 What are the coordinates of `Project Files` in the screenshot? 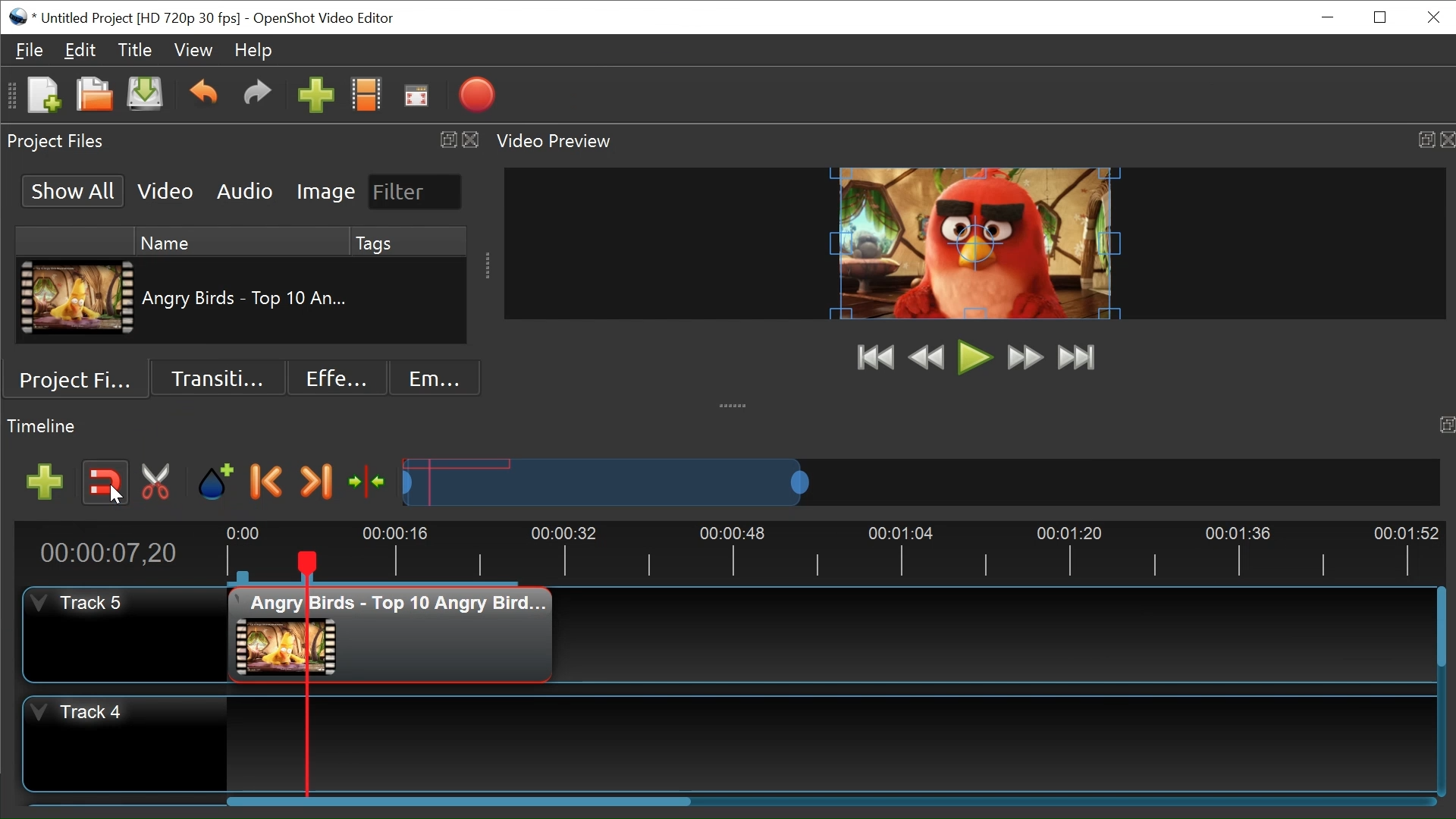 It's located at (78, 383).